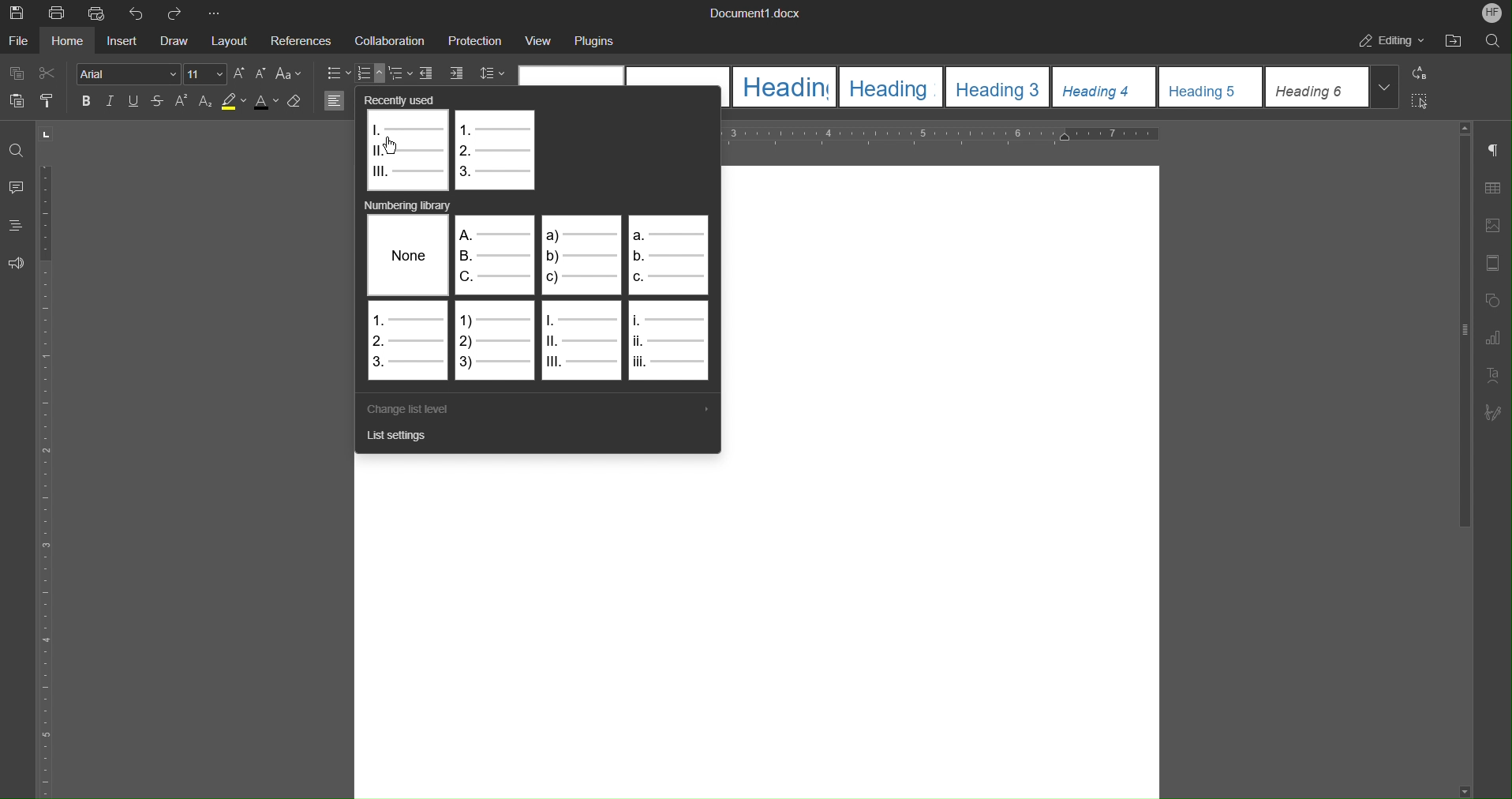 The width and height of the screenshot is (1512, 799). What do you see at coordinates (399, 73) in the screenshot?
I see `Nested List` at bounding box center [399, 73].